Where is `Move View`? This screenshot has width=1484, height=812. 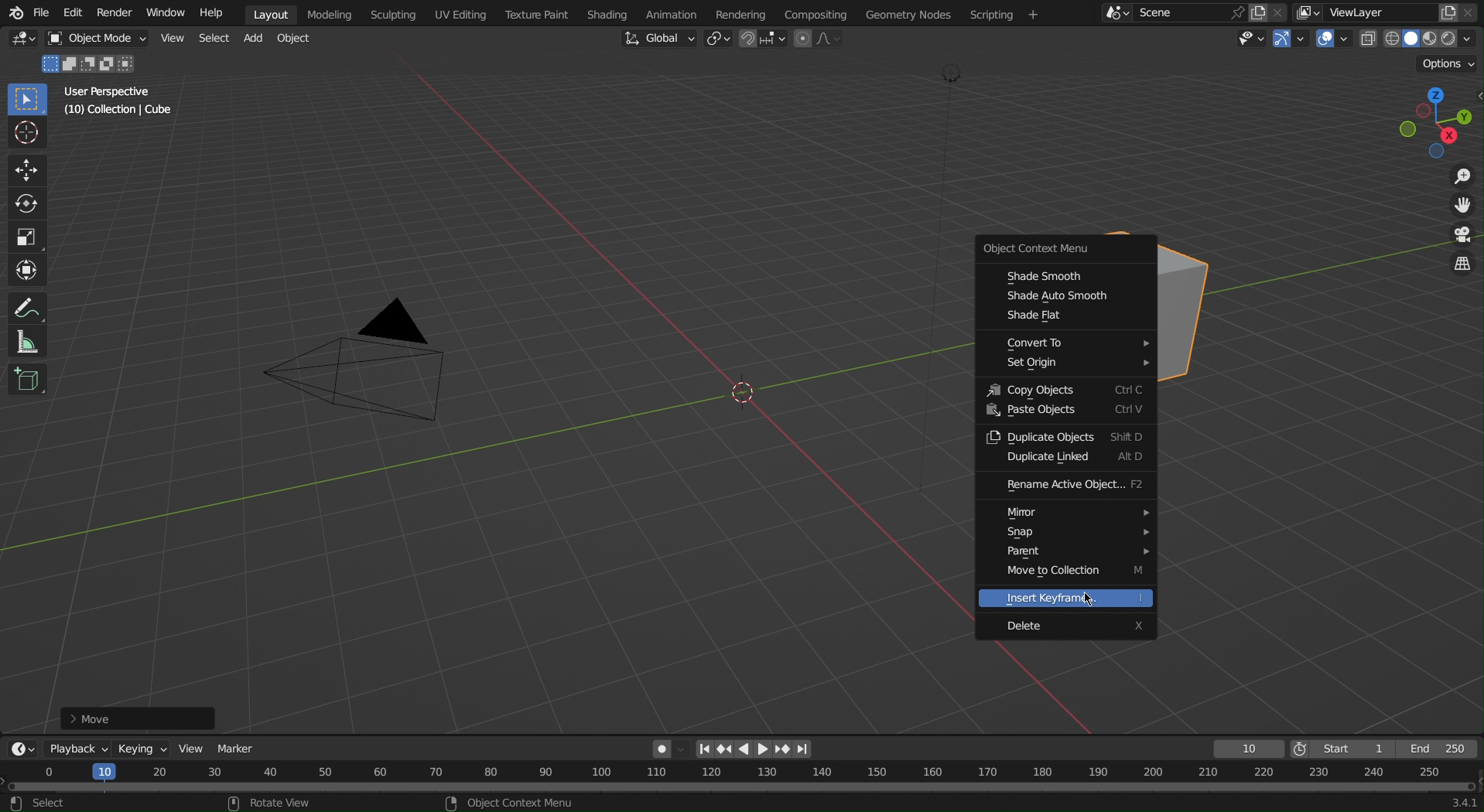 Move View is located at coordinates (1456, 209).